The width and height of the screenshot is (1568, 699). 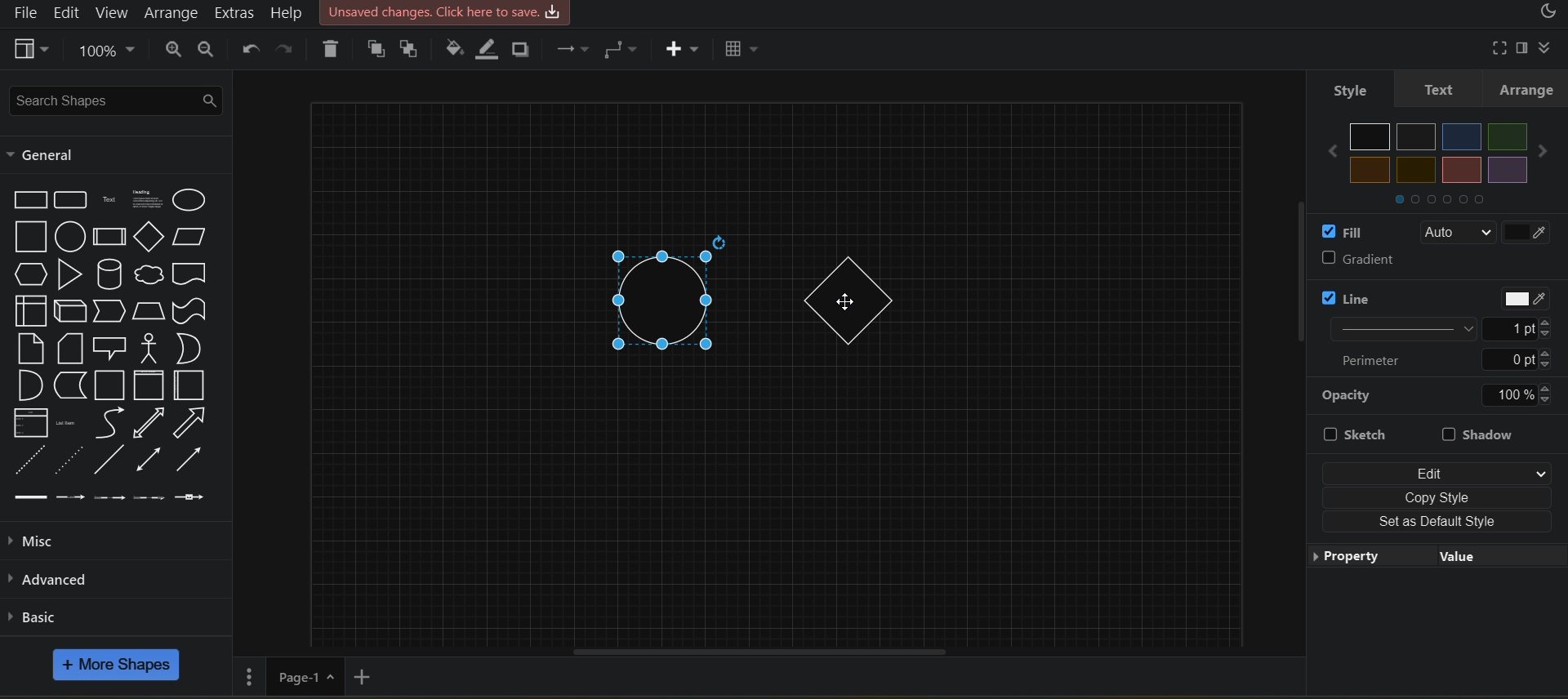 What do you see at coordinates (1521, 48) in the screenshot?
I see `format` at bounding box center [1521, 48].